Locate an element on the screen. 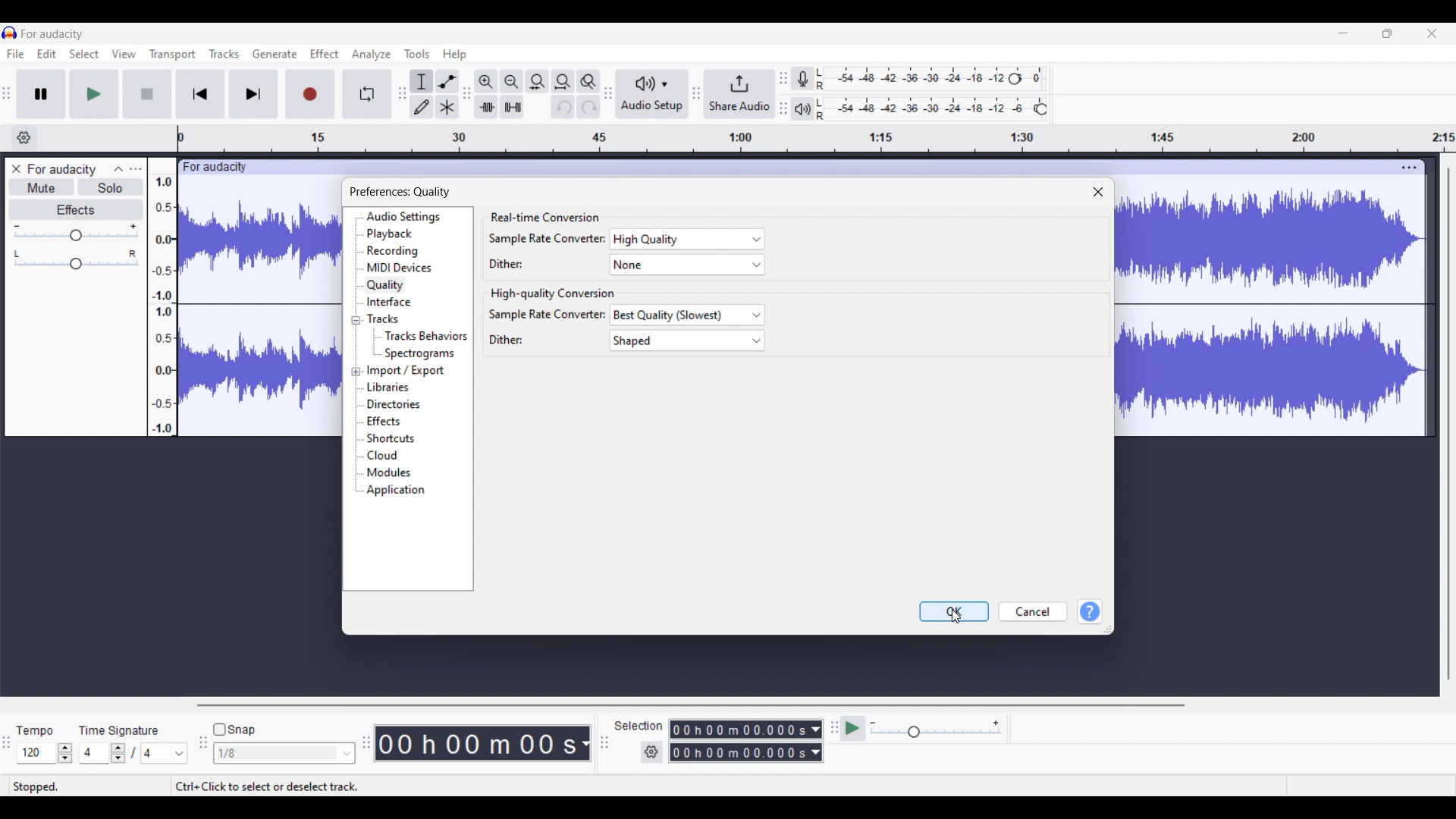 The width and height of the screenshot is (1456, 819). Current track is located at coordinates (1272, 312).